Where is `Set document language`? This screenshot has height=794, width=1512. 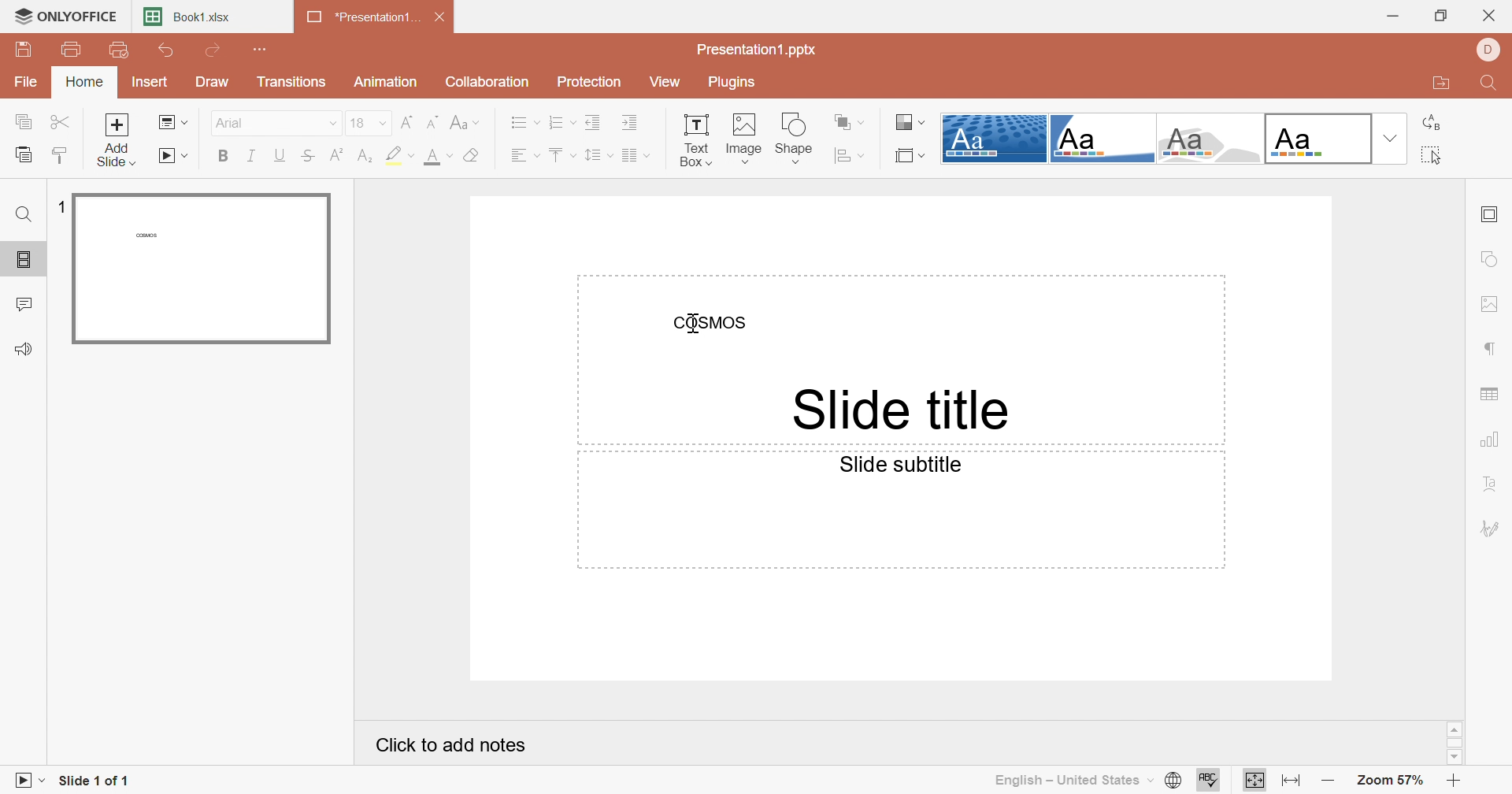 Set document language is located at coordinates (1175, 778).